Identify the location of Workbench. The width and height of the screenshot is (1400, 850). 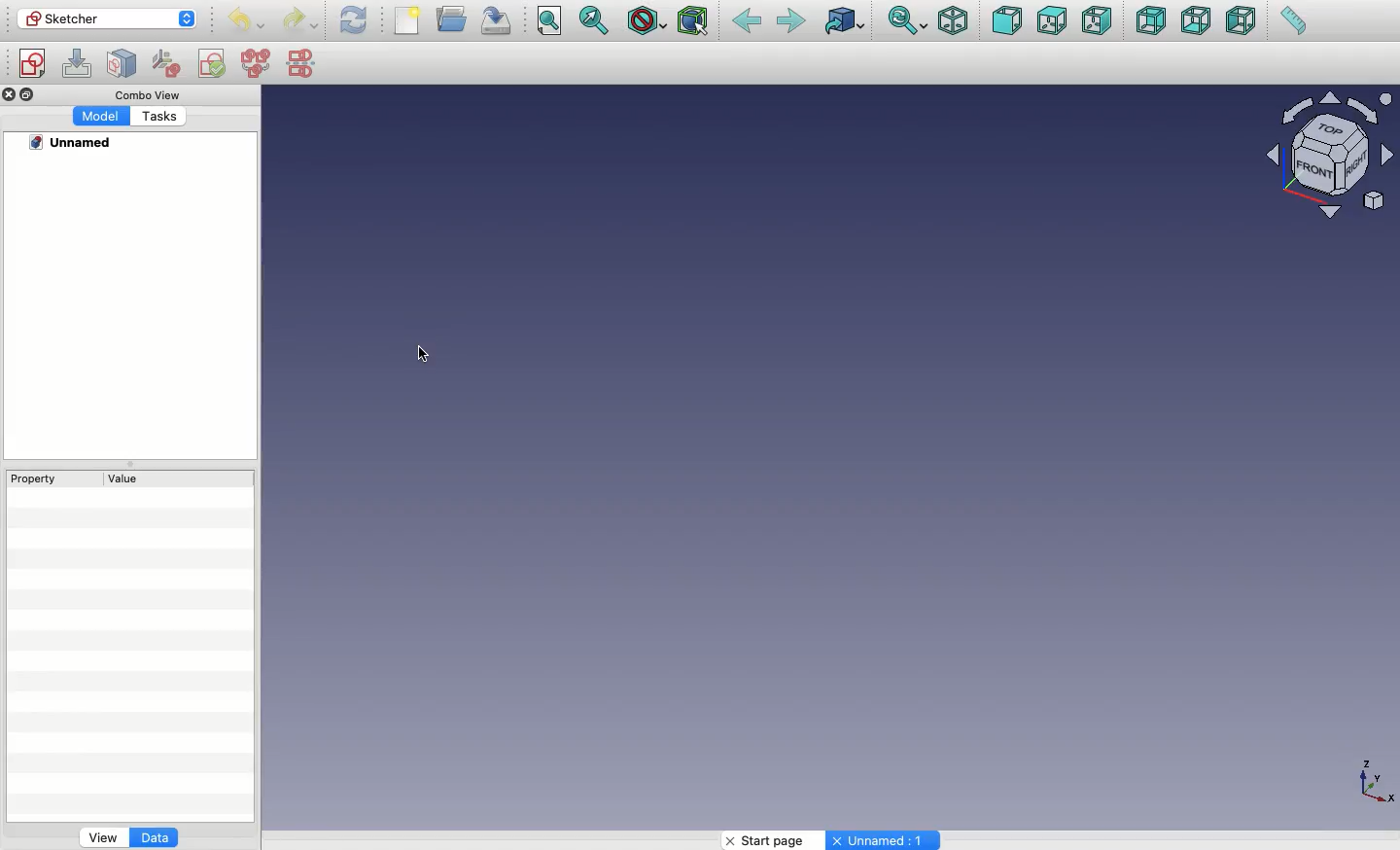
(108, 19).